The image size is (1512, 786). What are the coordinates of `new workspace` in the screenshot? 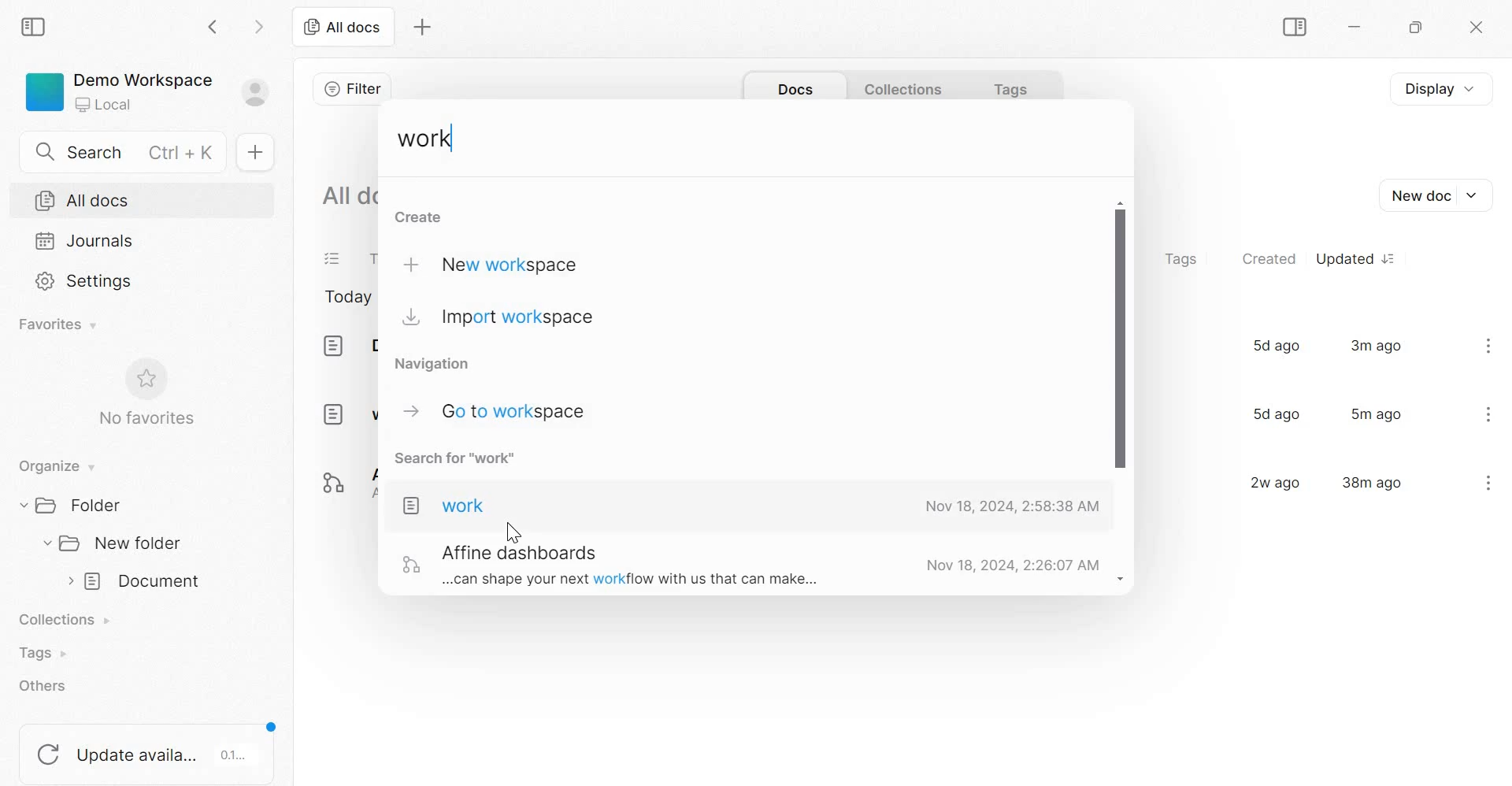 It's located at (498, 264).